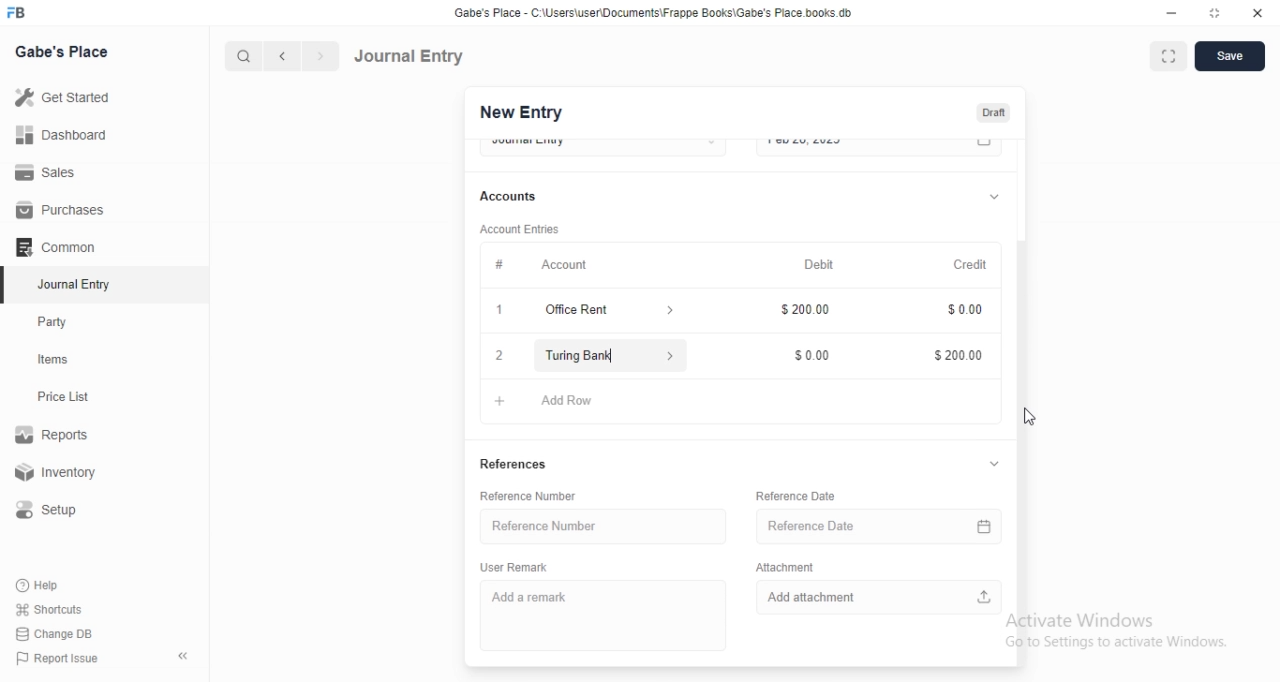 This screenshot has width=1280, height=682. Describe the element at coordinates (511, 196) in the screenshot. I see `Accounts` at that location.